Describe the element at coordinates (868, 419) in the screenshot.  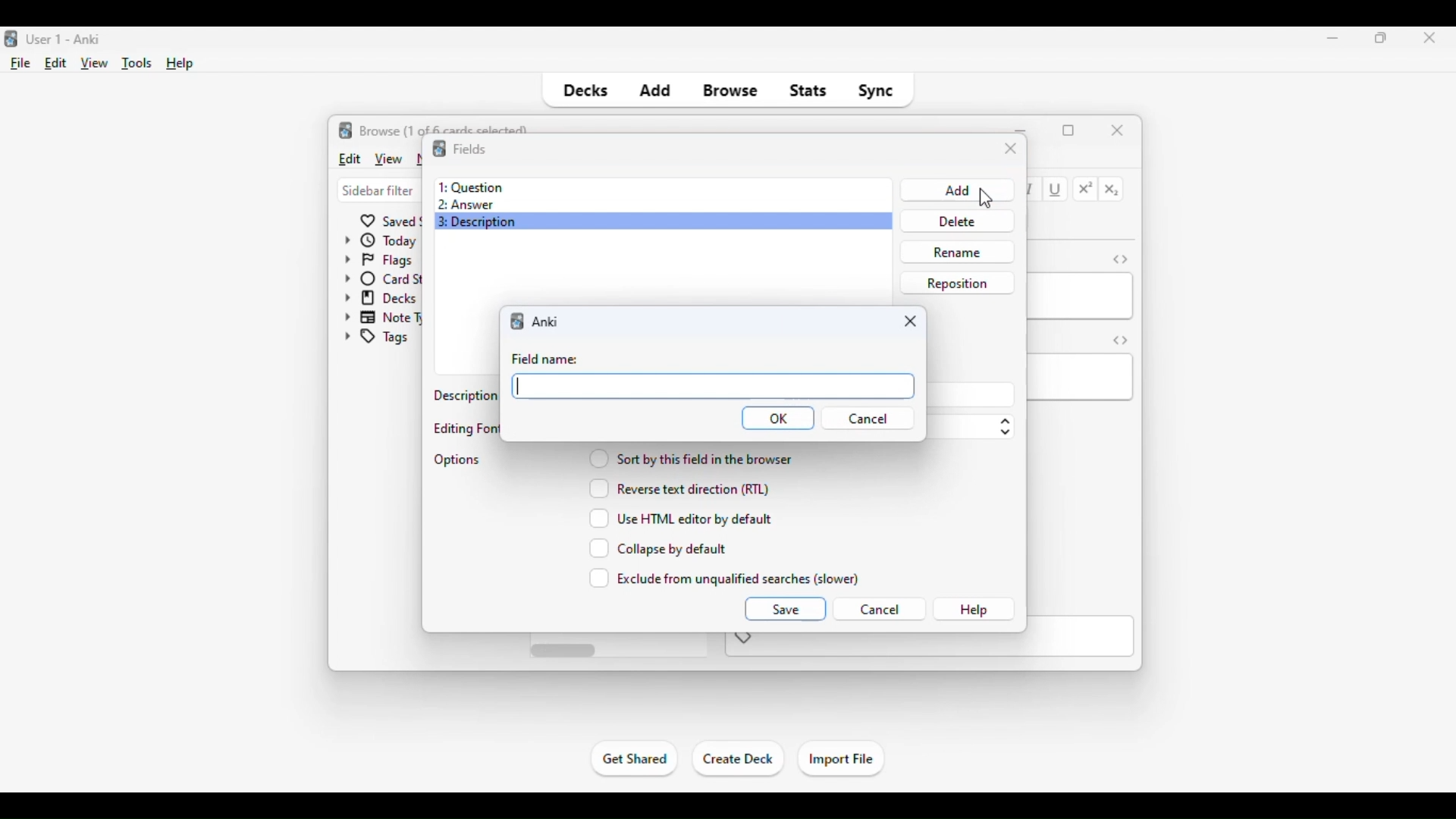
I see `cancel` at that location.